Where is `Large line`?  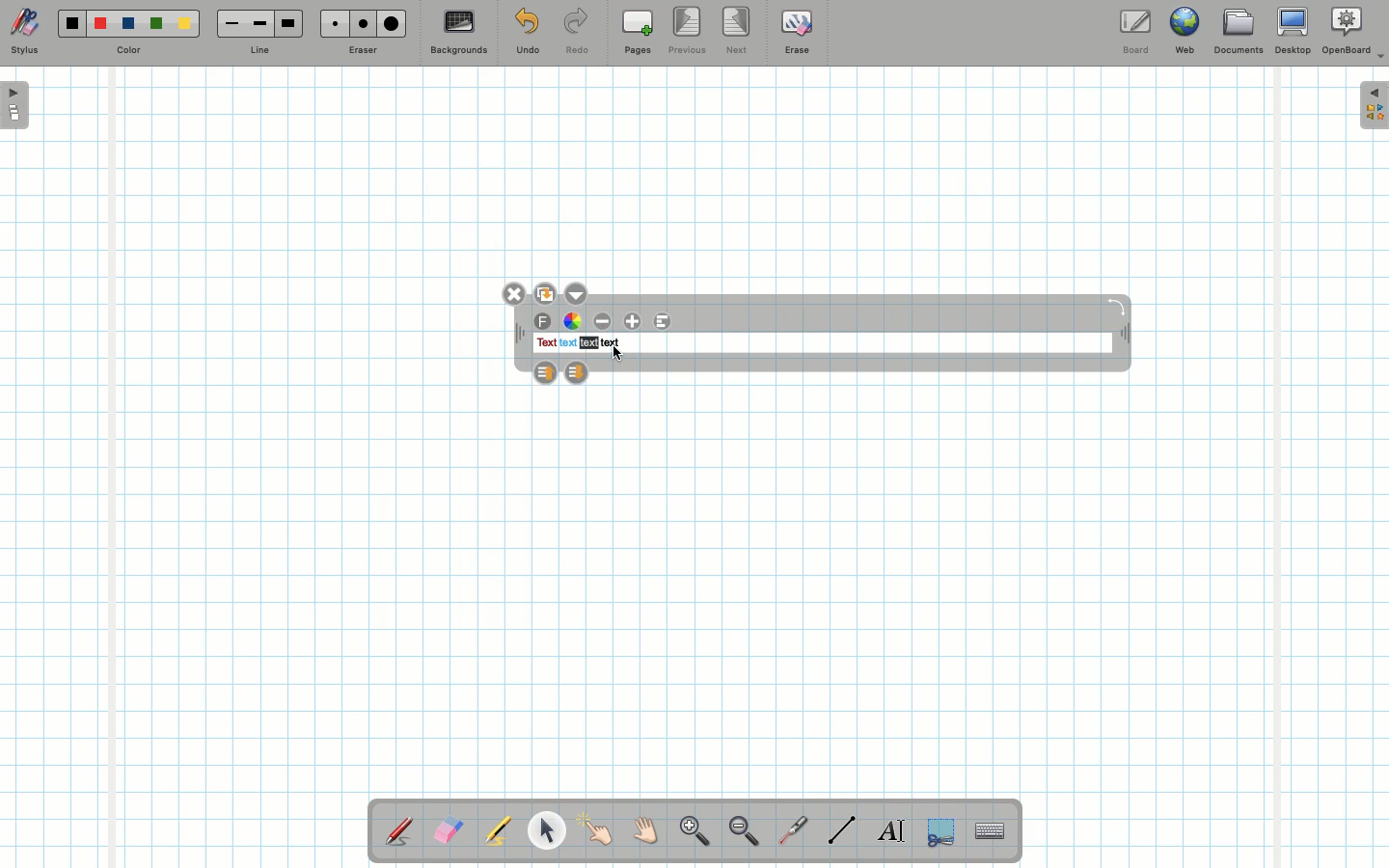 Large line is located at coordinates (289, 23).